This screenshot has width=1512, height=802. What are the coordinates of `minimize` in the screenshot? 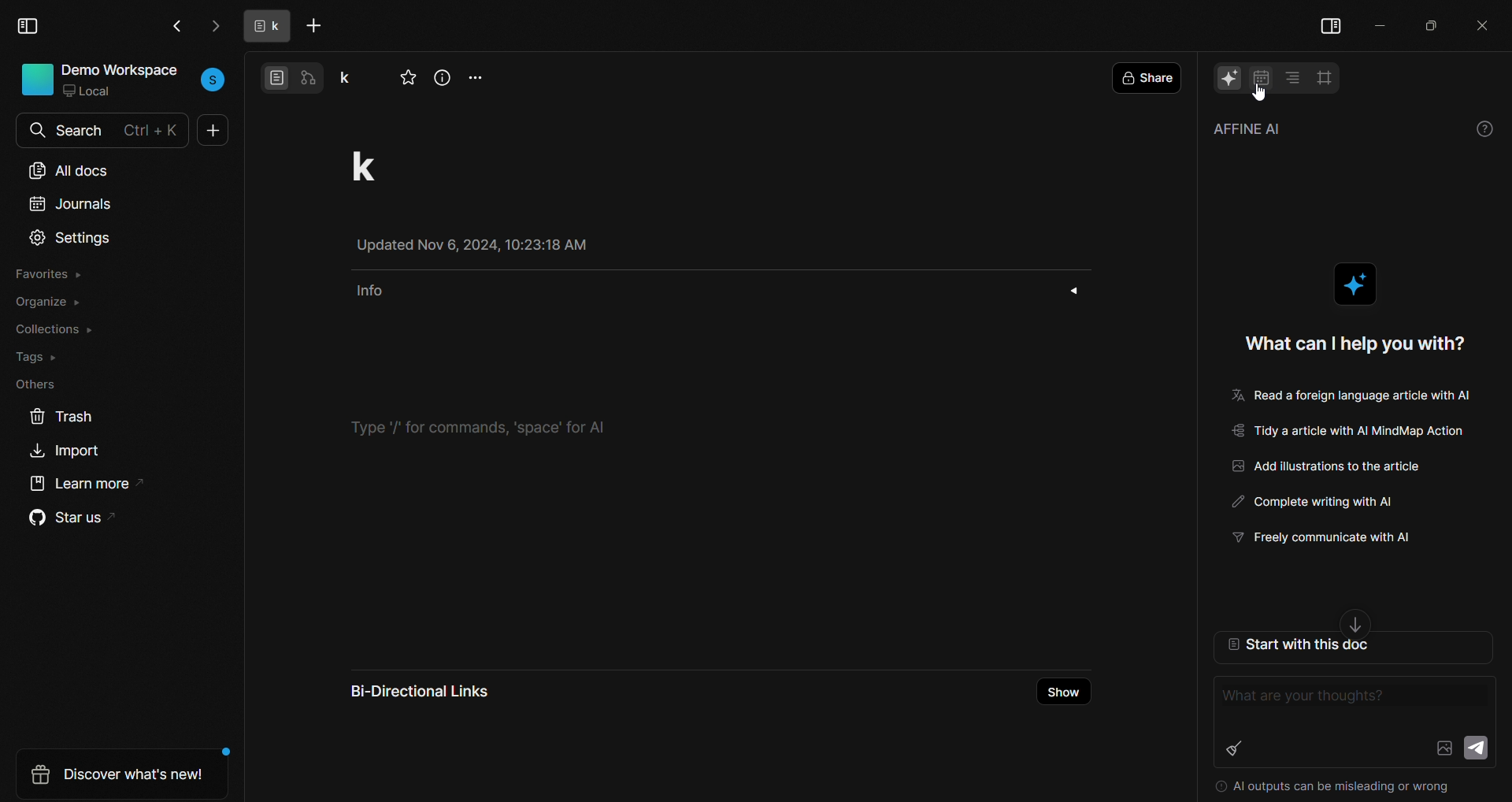 It's located at (1384, 24).